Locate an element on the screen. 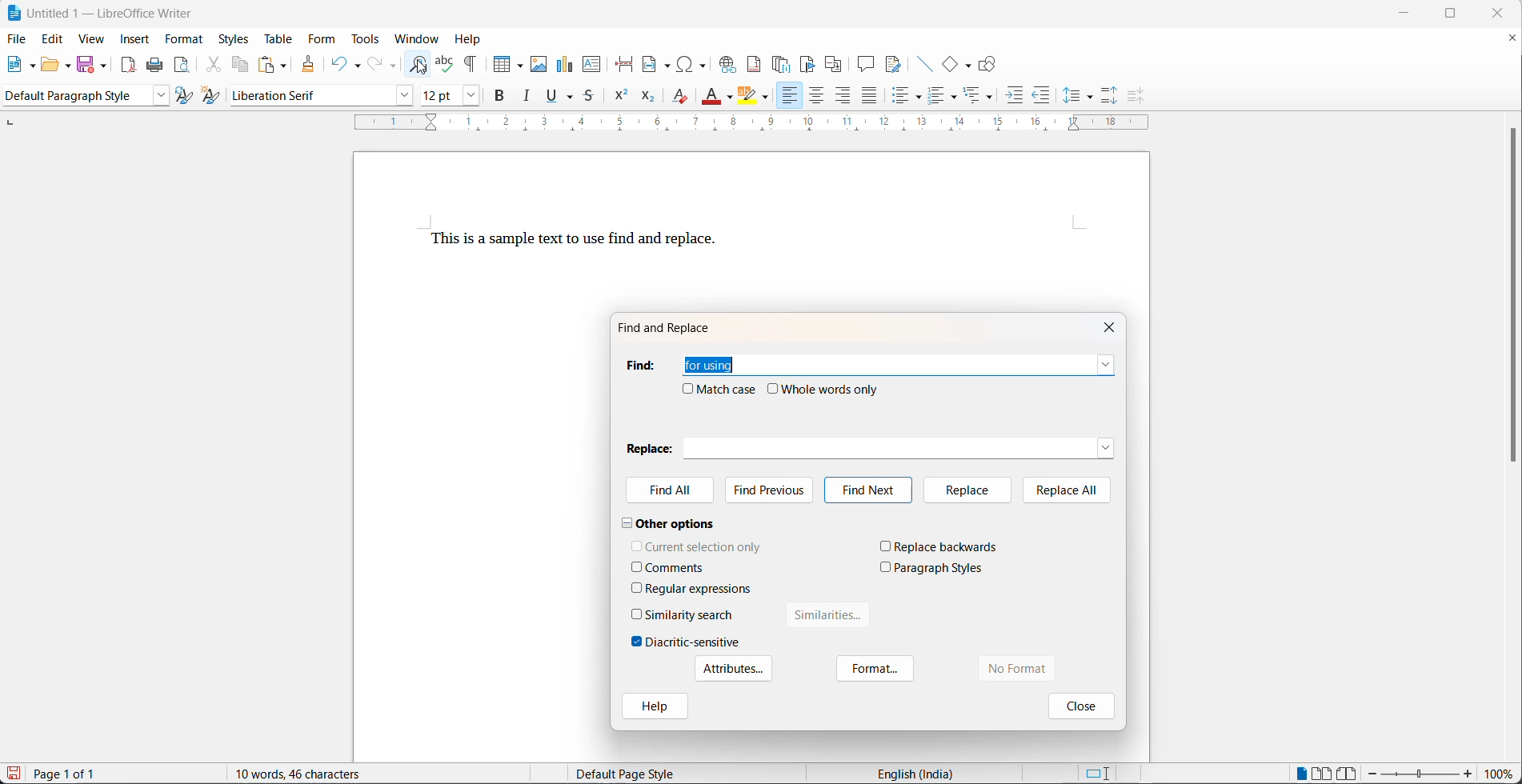 The image size is (1522, 784). increase paragraph spacing is located at coordinates (1110, 94).